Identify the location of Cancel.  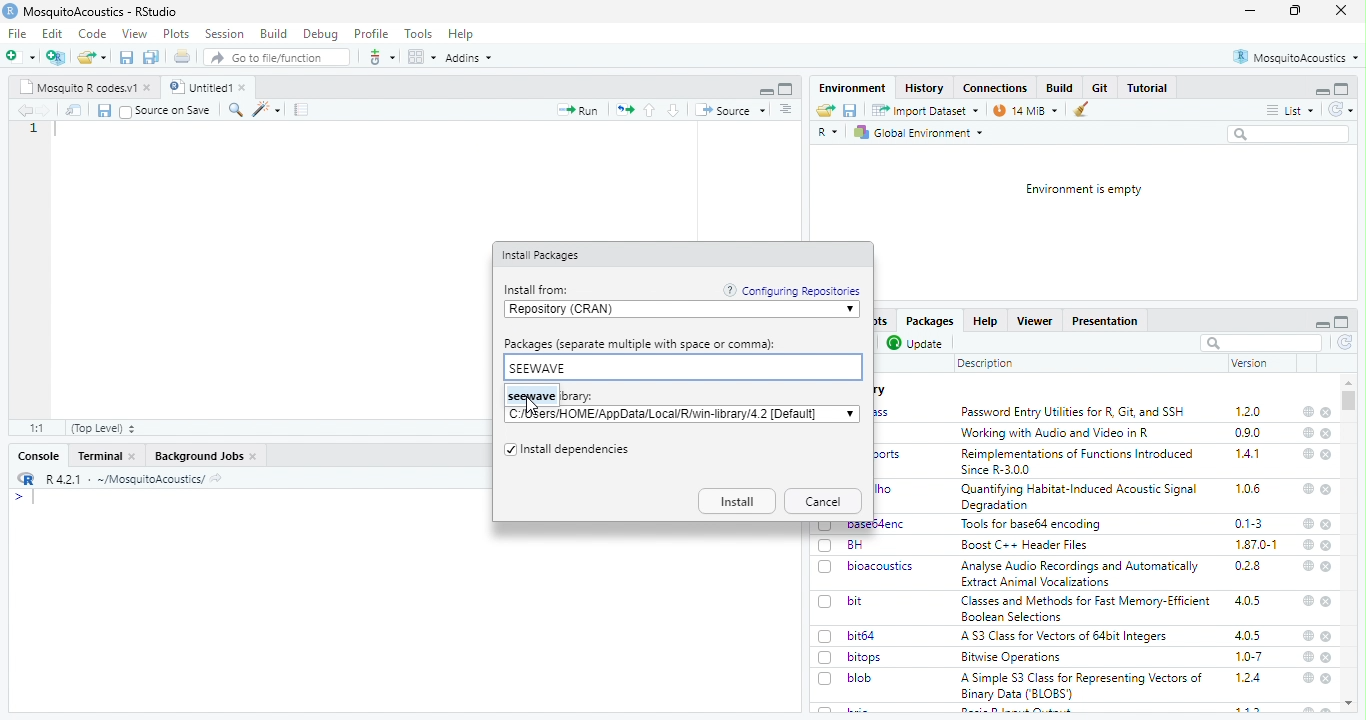
(824, 501).